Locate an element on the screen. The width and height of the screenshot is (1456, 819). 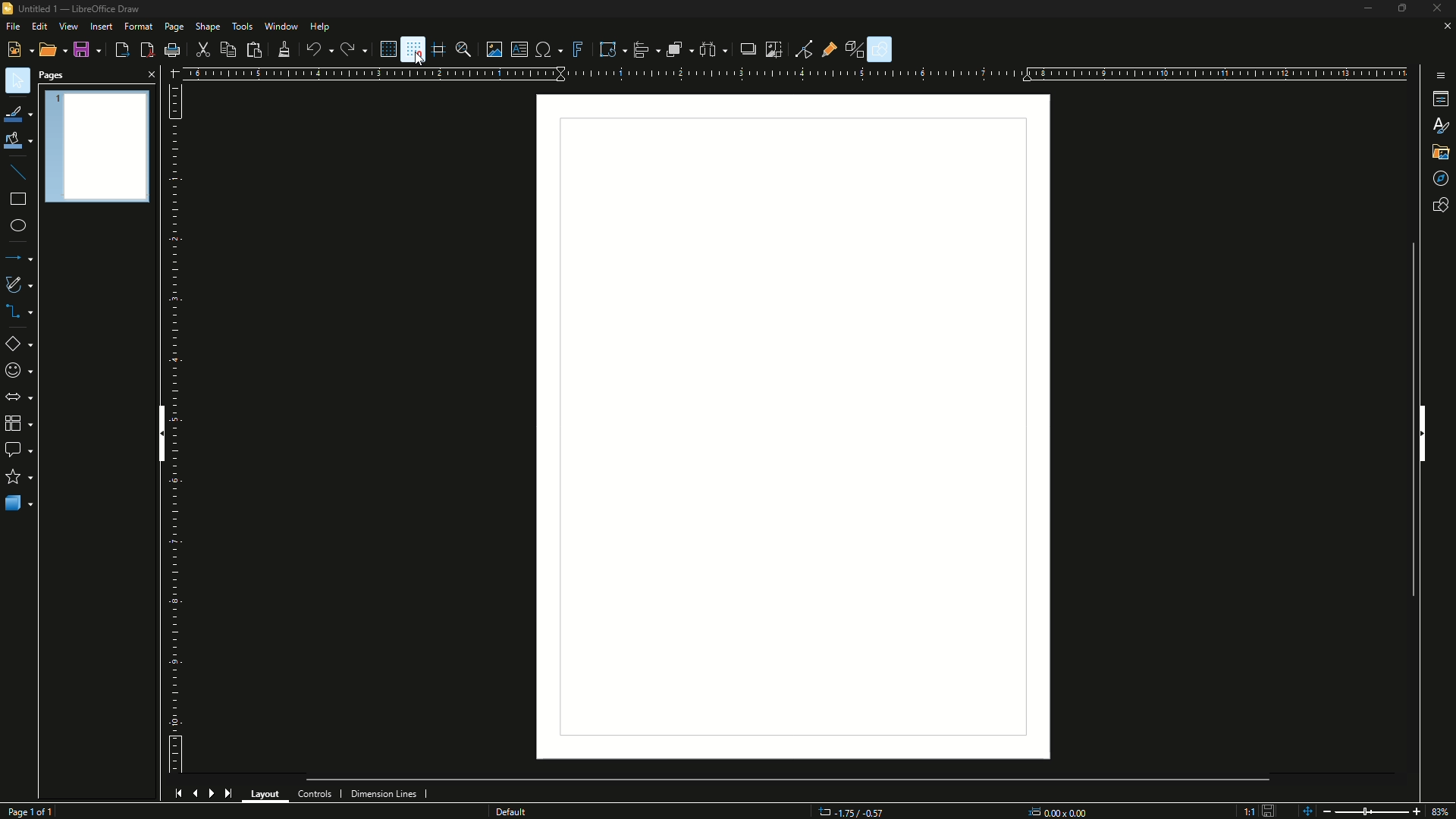
Zoom controls is located at coordinates (1302, 809).